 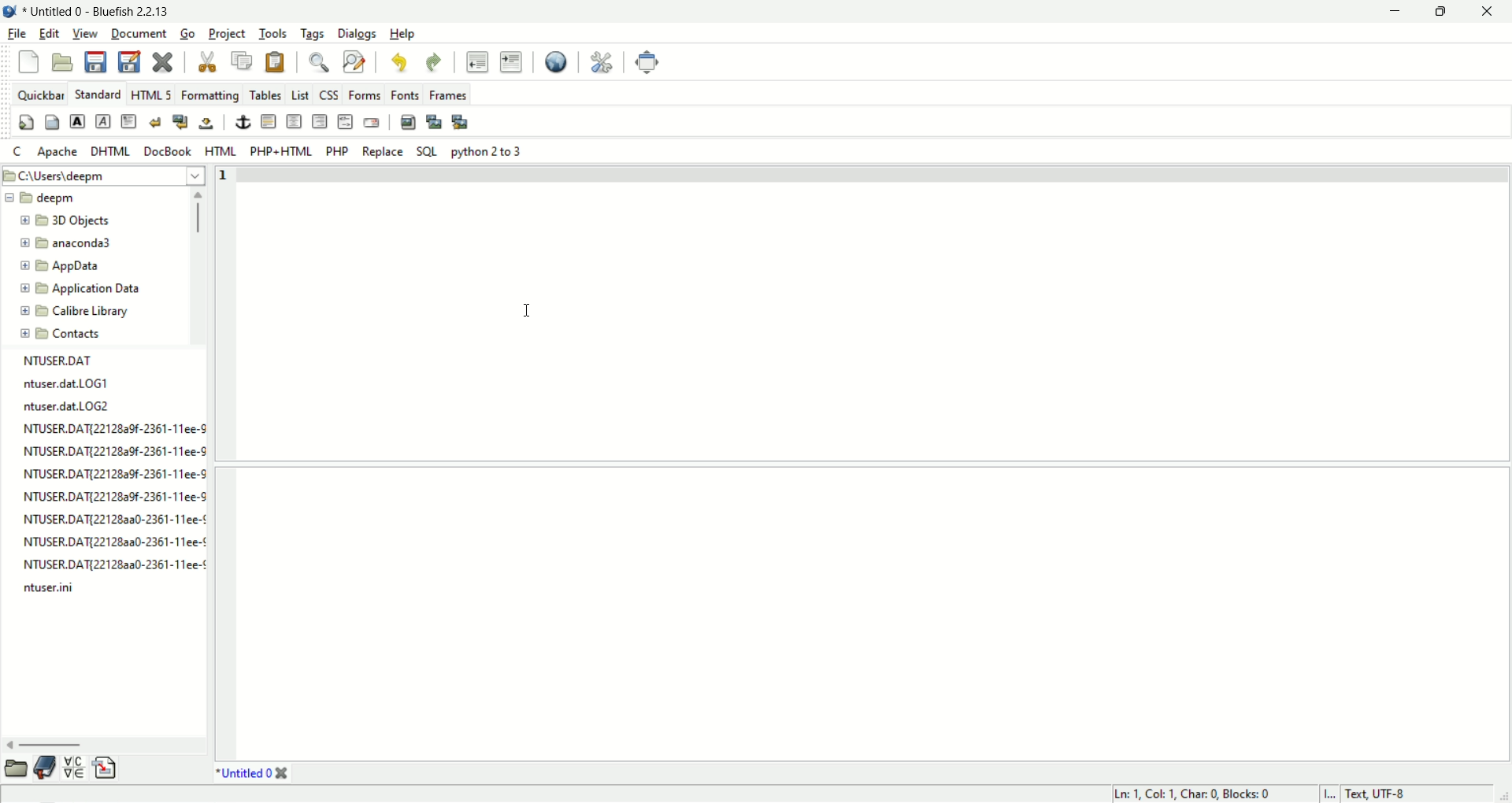 I want to click on quickbar, so click(x=39, y=94).